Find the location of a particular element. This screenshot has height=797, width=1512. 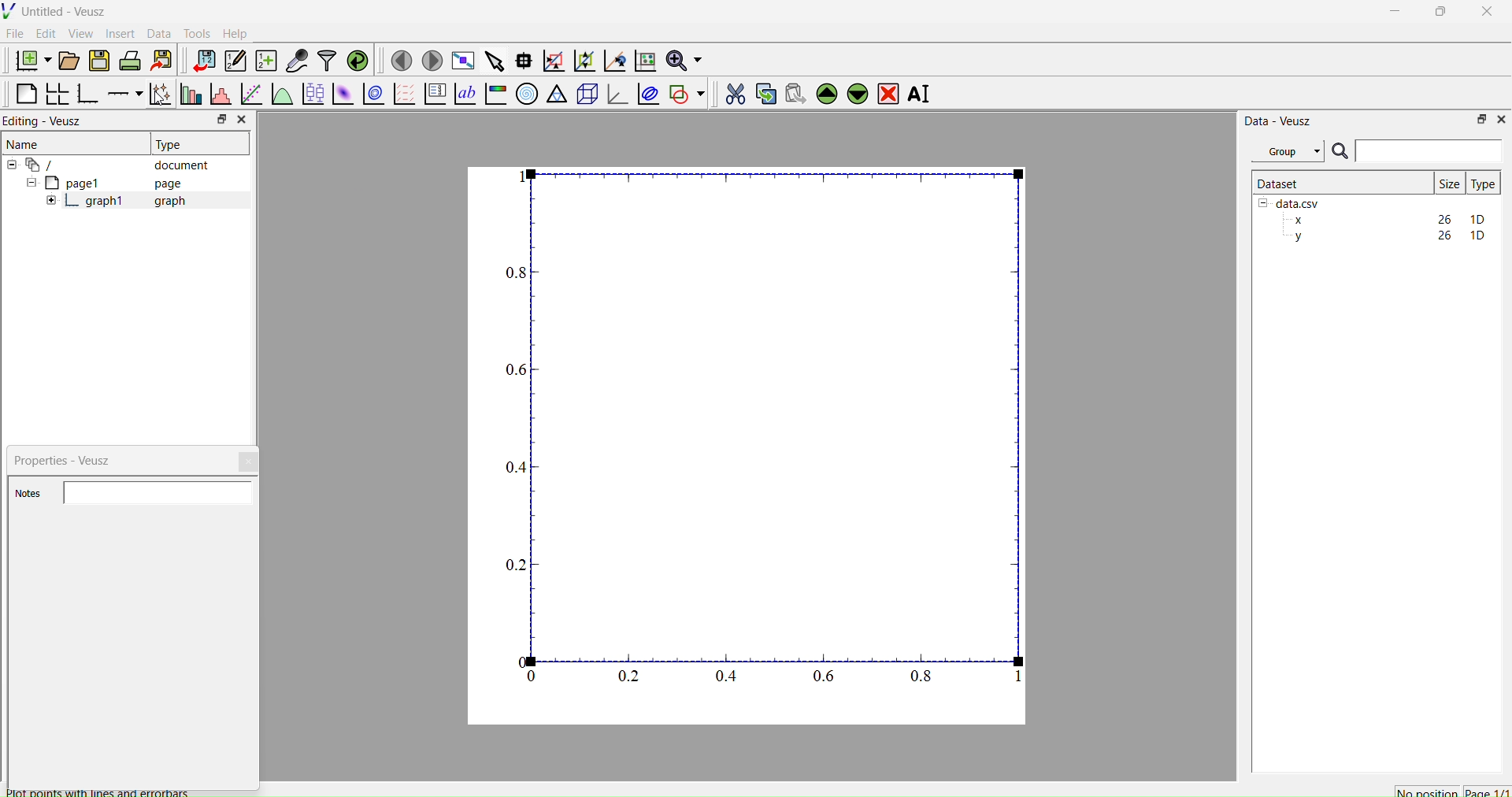

Zoom graph axes is located at coordinates (553, 61).